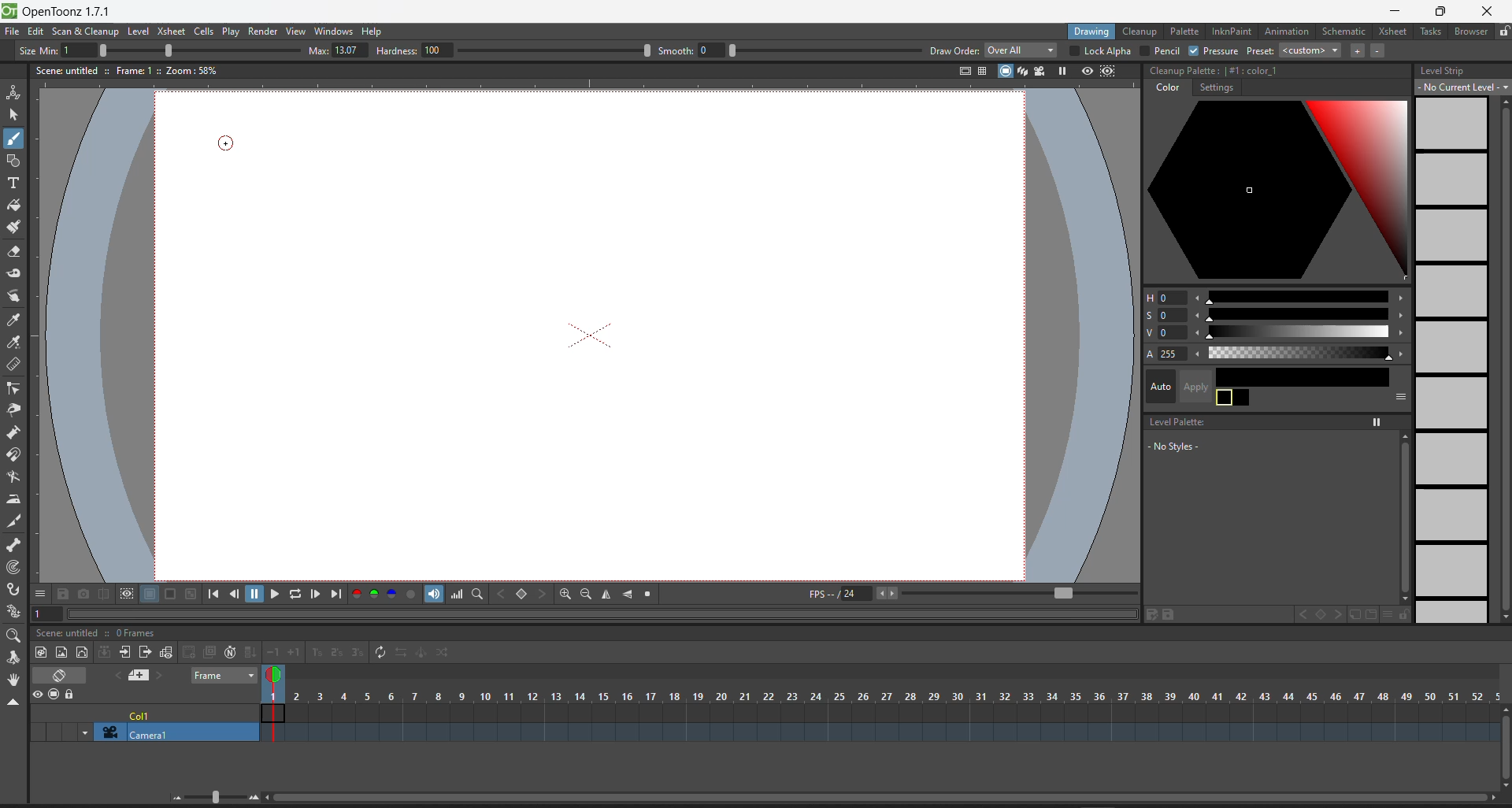 This screenshot has width=1512, height=808. I want to click on add preset, so click(1354, 50).